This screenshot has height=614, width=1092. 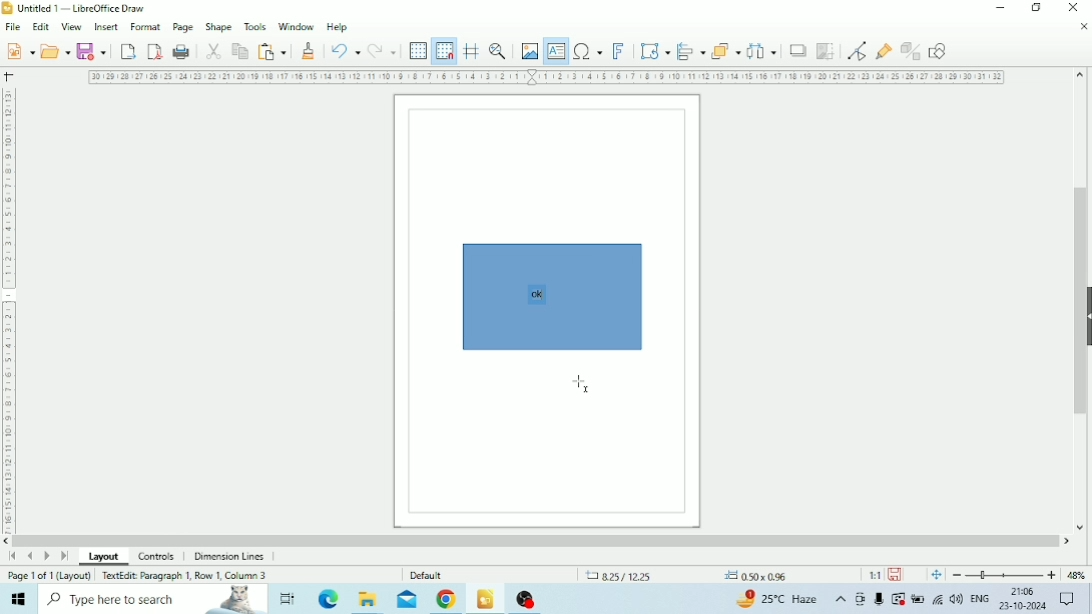 What do you see at coordinates (936, 575) in the screenshot?
I see `Fit page to current window` at bounding box center [936, 575].